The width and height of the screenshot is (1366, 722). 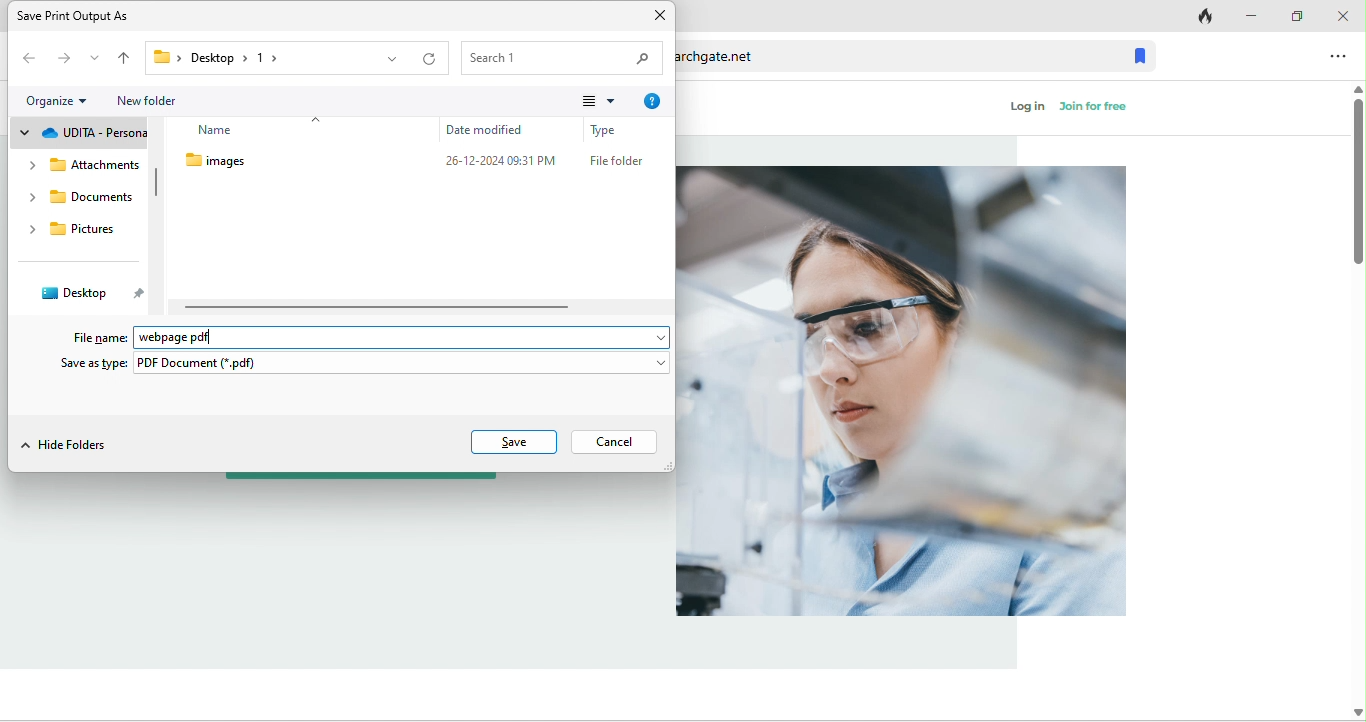 What do you see at coordinates (1249, 14) in the screenshot?
I see `minimize` at bounding box center [1249, 14].